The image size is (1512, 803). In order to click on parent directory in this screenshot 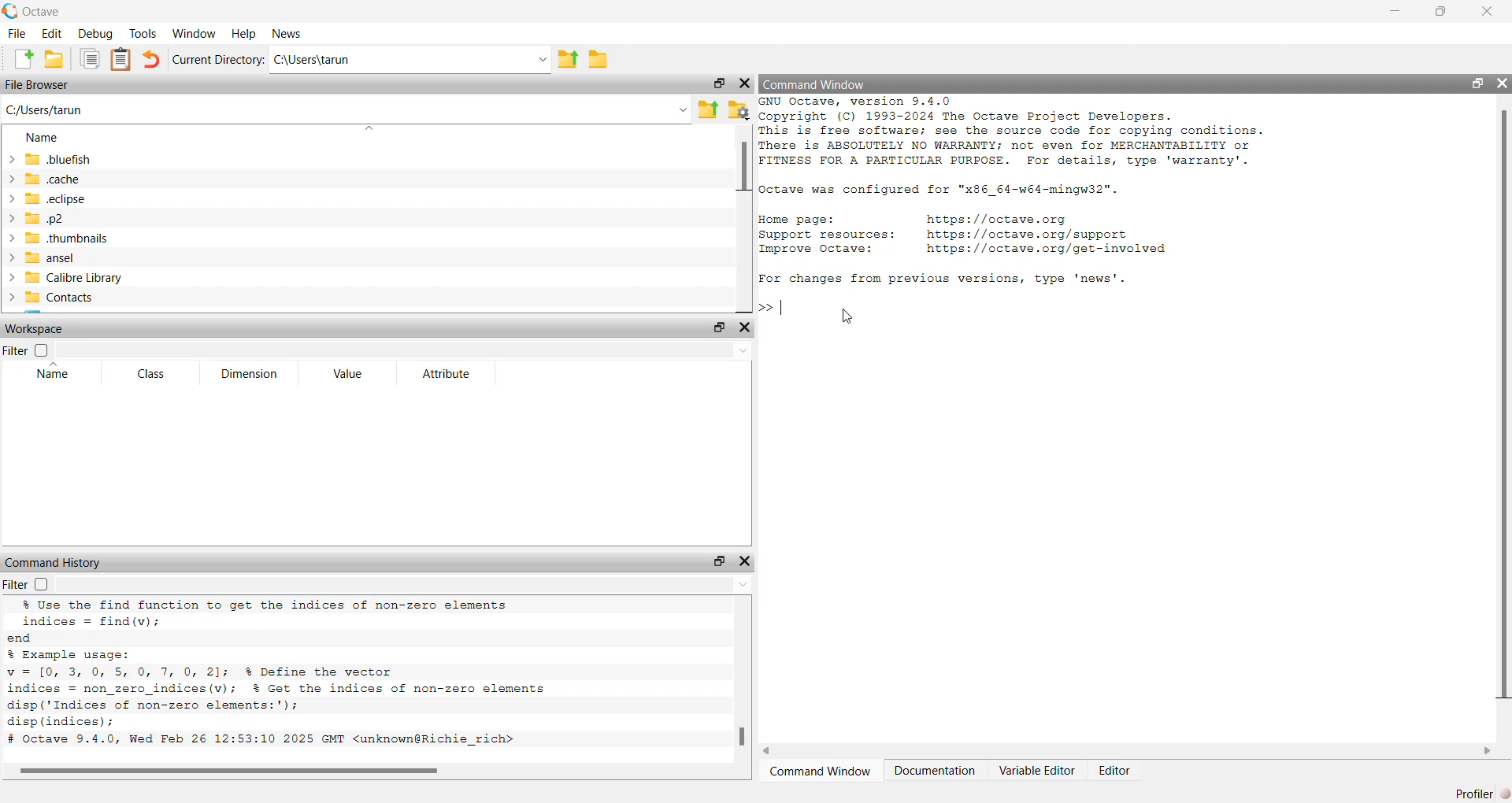, I will do `click(711, 109)`.